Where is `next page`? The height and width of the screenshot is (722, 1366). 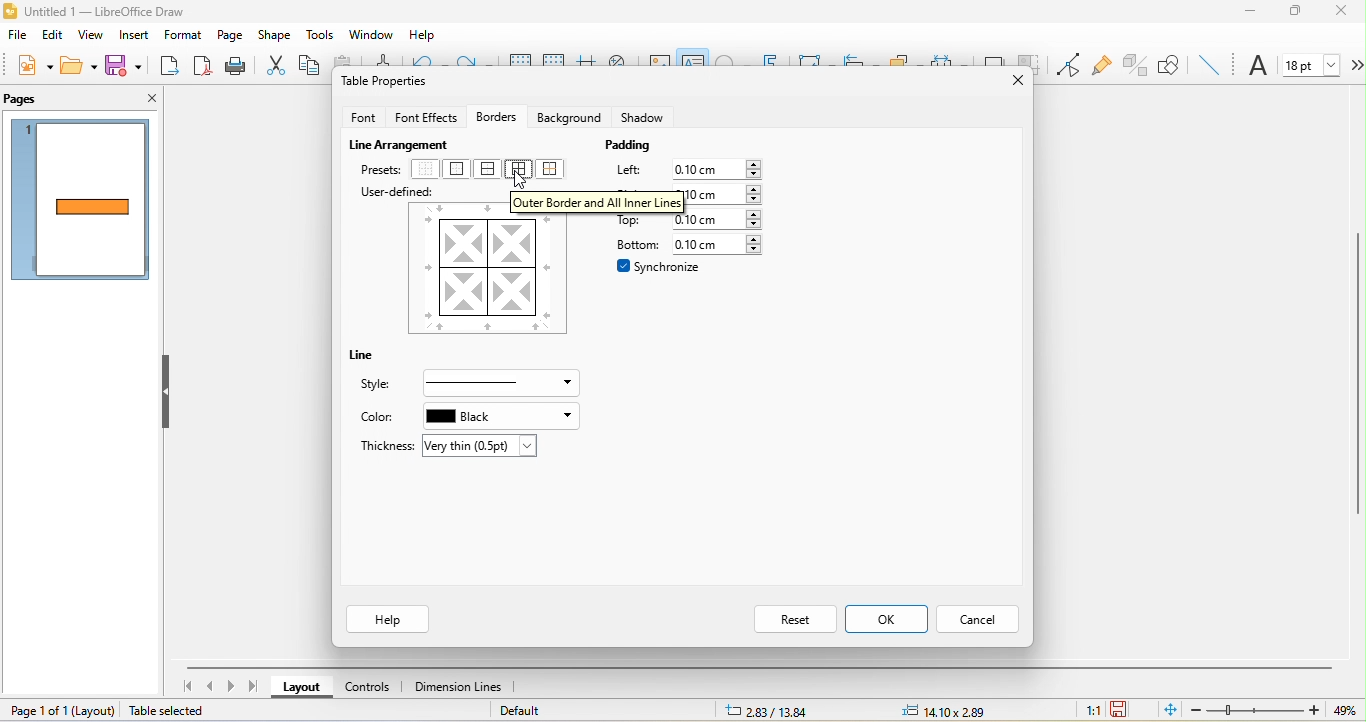 next page is located at coordinates (234, 687).